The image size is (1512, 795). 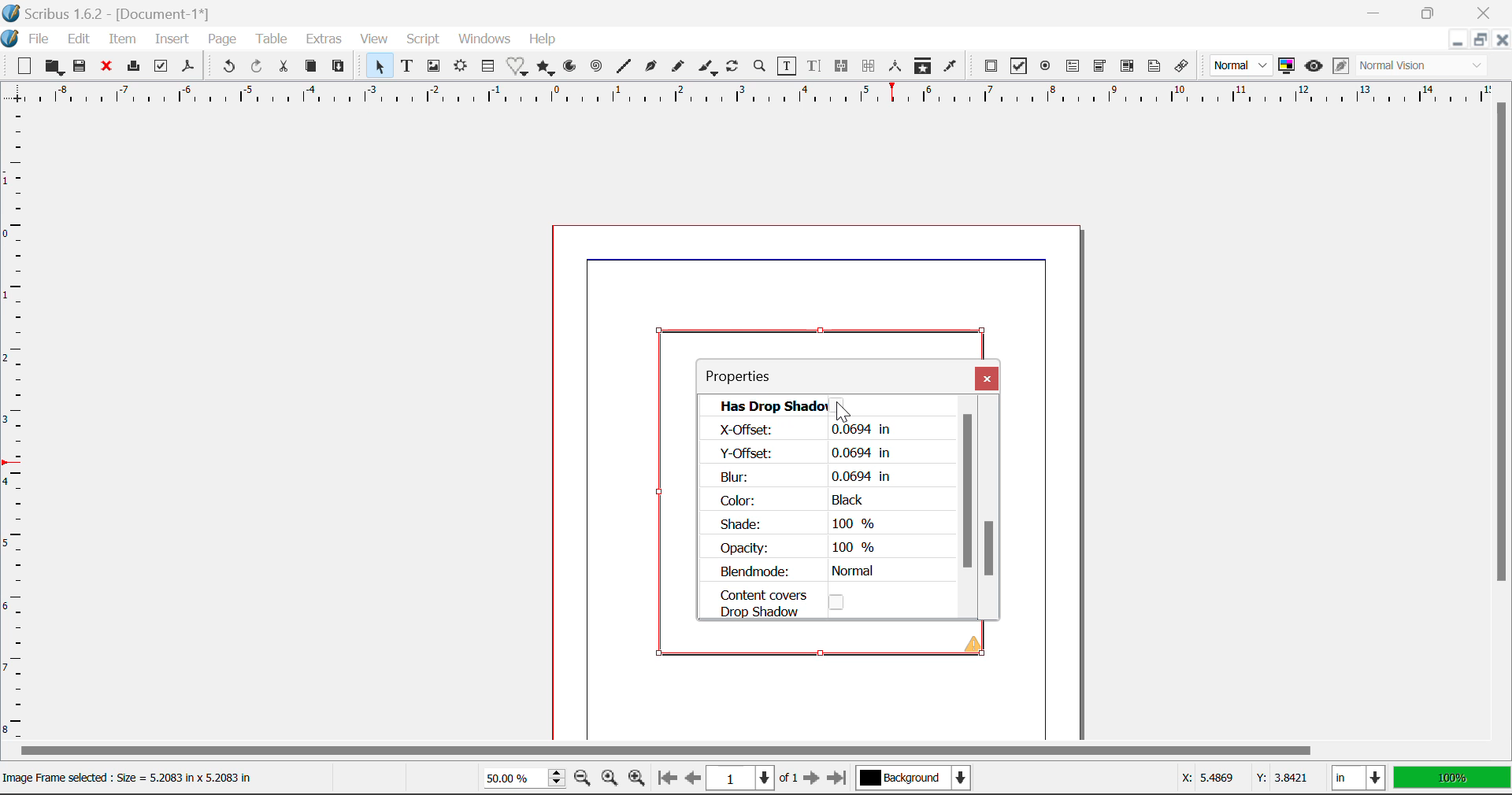 What do you see at coordinates (137, 778) in the screenshot?
I see `Image Frame selected : Size = 5.2083 in x 5.2083 in` at bounding box center [137, 778].